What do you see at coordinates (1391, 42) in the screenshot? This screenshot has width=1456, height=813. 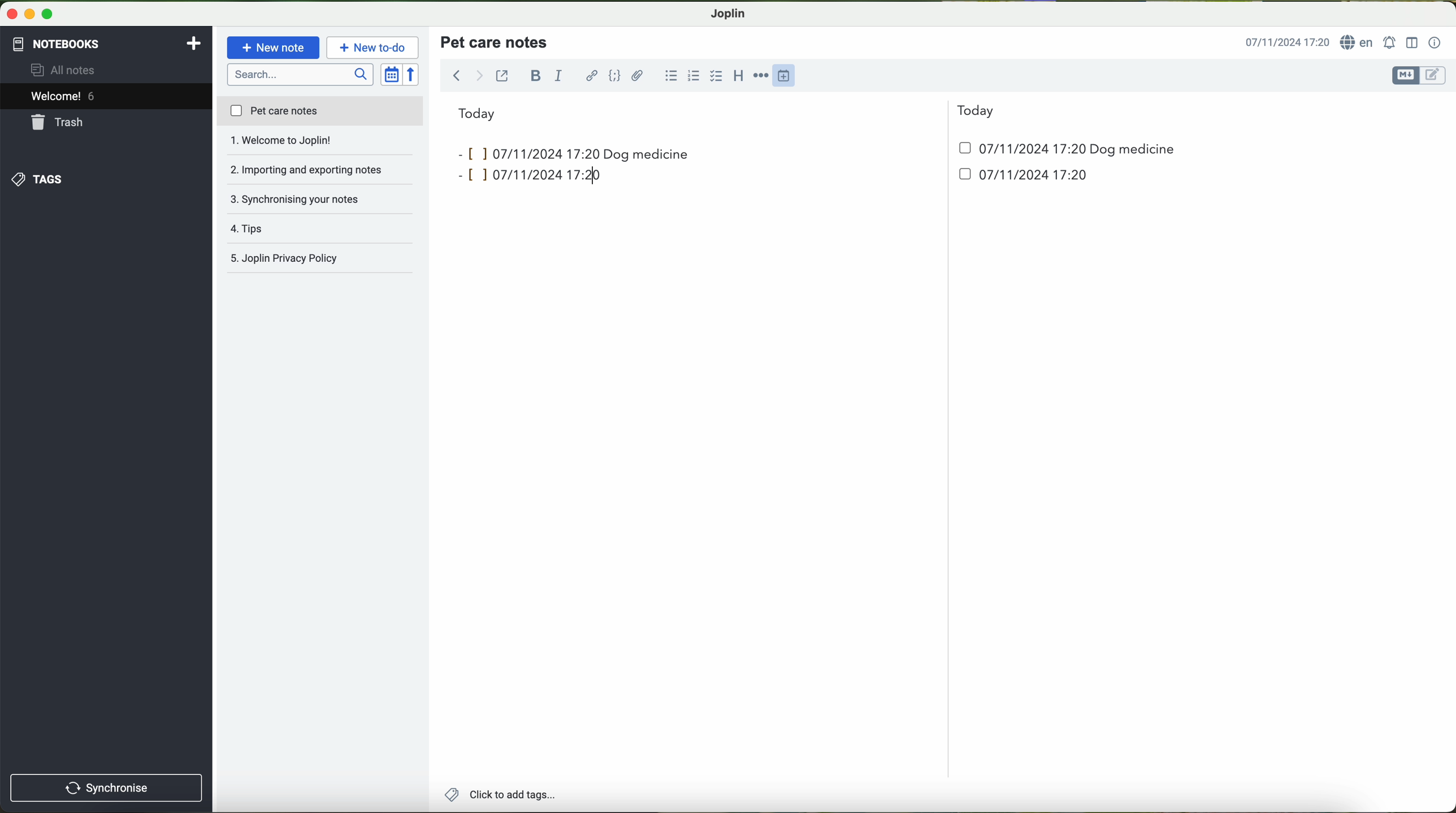 I see `set alarm` at bounding box center [1391, 42].